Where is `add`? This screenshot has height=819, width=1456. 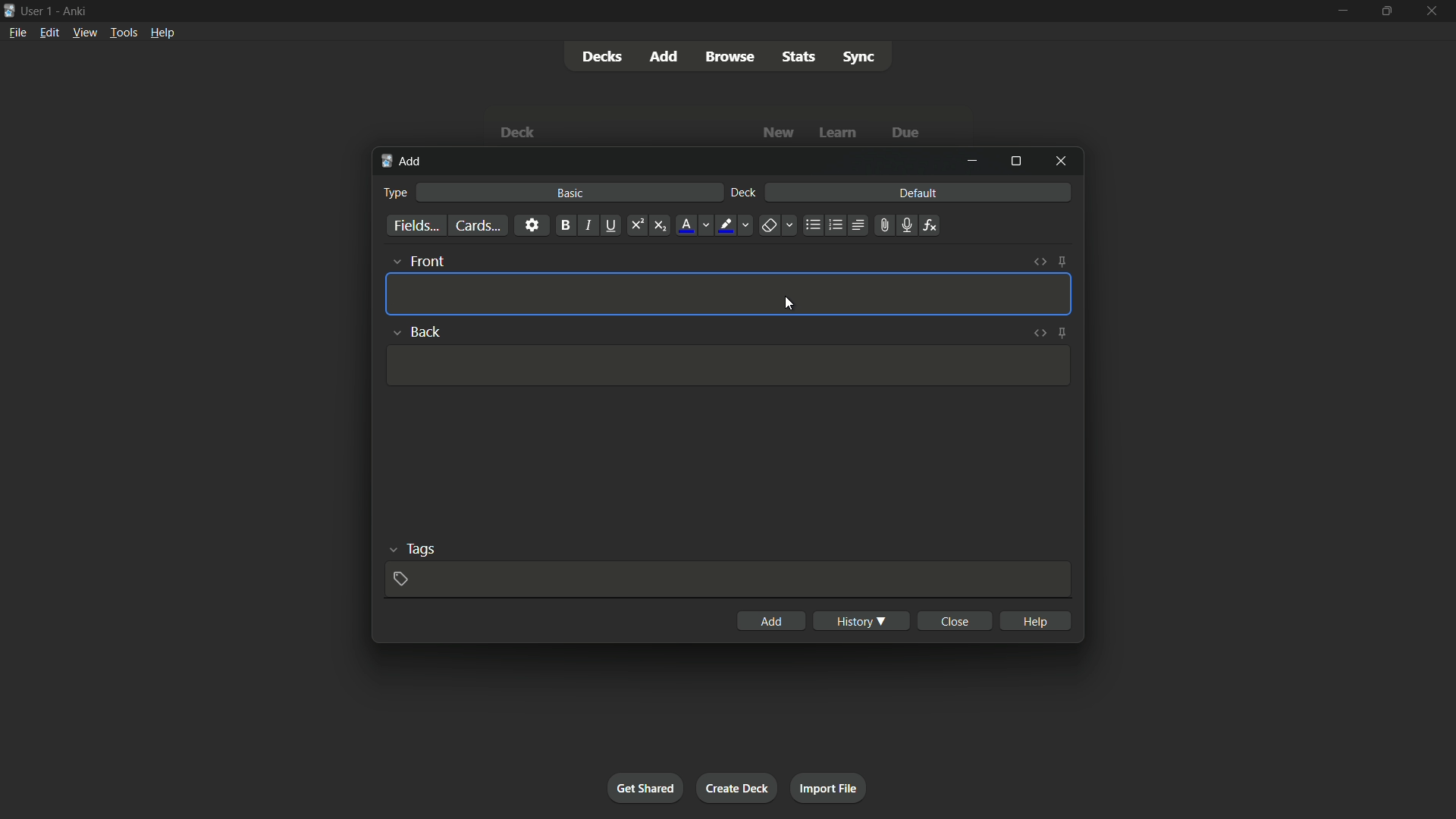
add is located at coordinates (403, 162).